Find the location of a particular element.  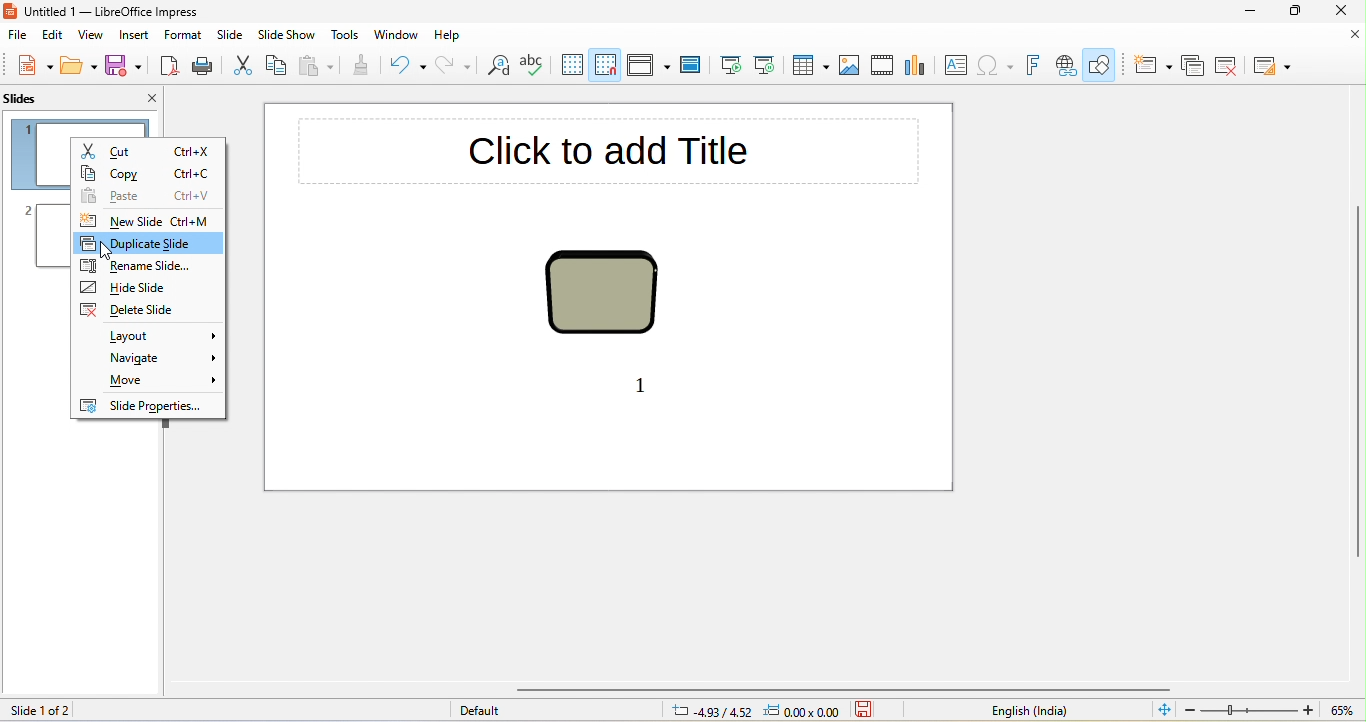

find and replace is located at coordinates (498, 67).